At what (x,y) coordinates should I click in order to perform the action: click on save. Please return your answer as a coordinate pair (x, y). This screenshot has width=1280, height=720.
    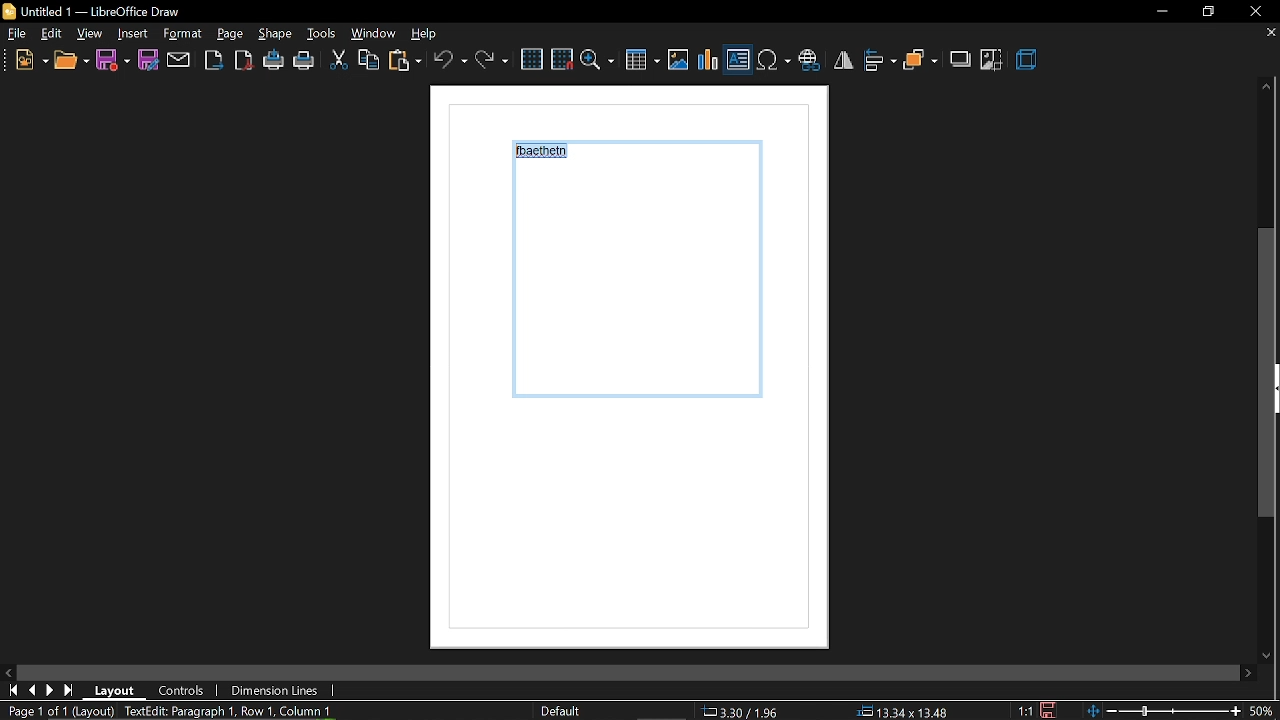
    Looking at the image, I should click on (1054, 708).